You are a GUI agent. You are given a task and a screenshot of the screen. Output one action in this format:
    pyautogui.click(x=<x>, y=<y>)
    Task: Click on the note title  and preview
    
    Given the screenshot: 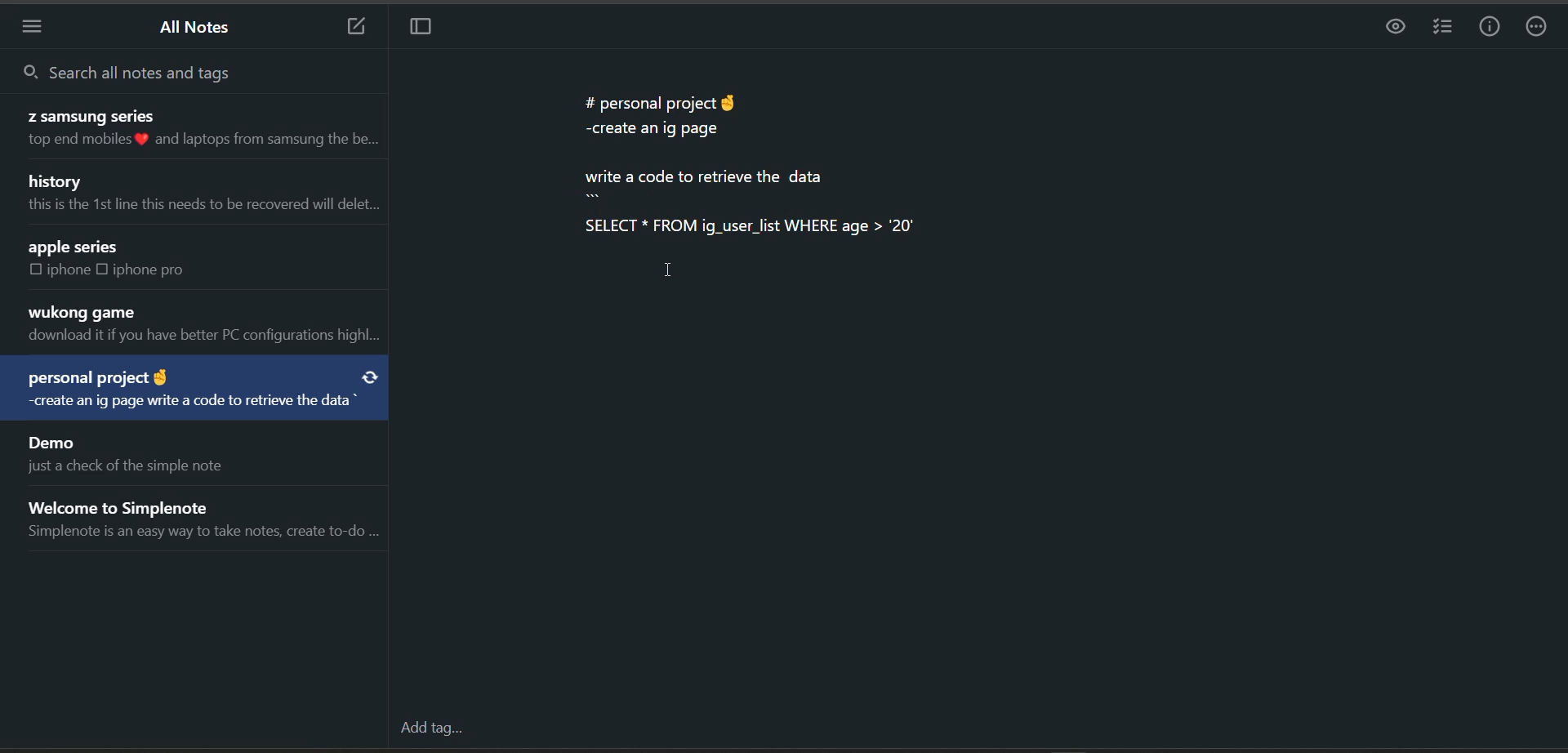 What is the action you would take?
    pyautogui.click(x=207, y=515)
    